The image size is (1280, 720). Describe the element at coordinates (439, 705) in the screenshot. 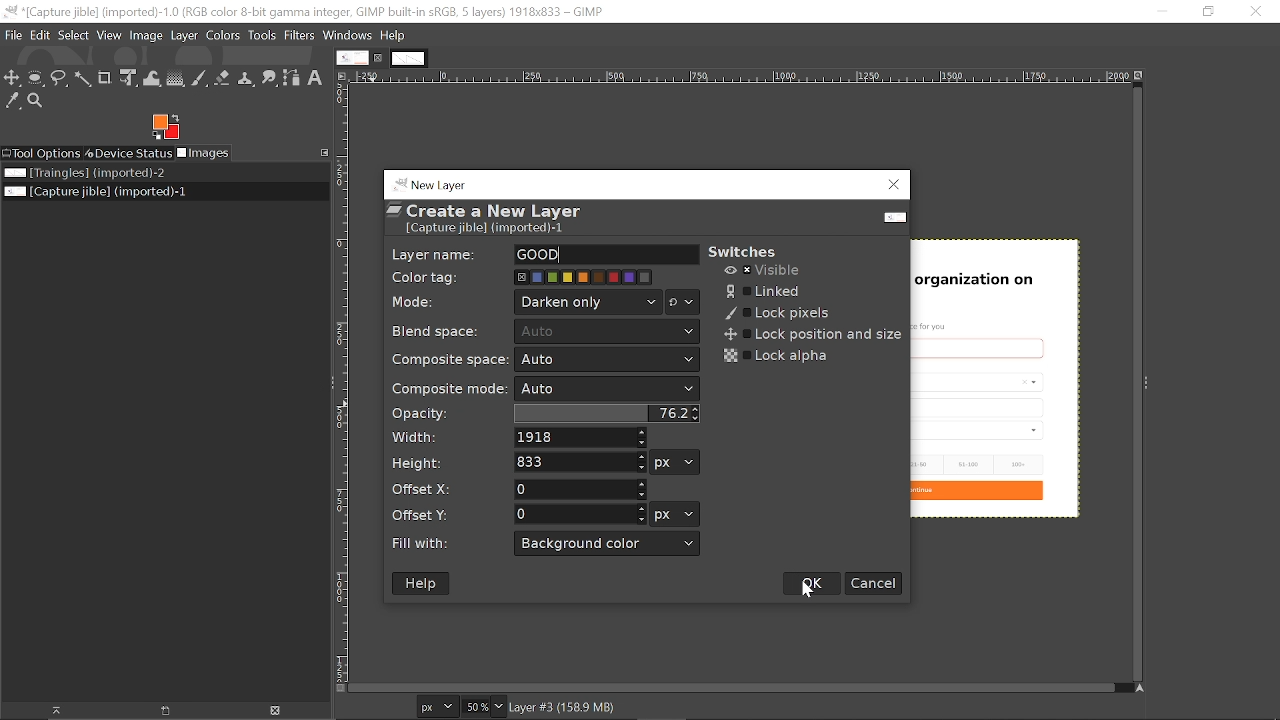

I see `Current image units` at that location.